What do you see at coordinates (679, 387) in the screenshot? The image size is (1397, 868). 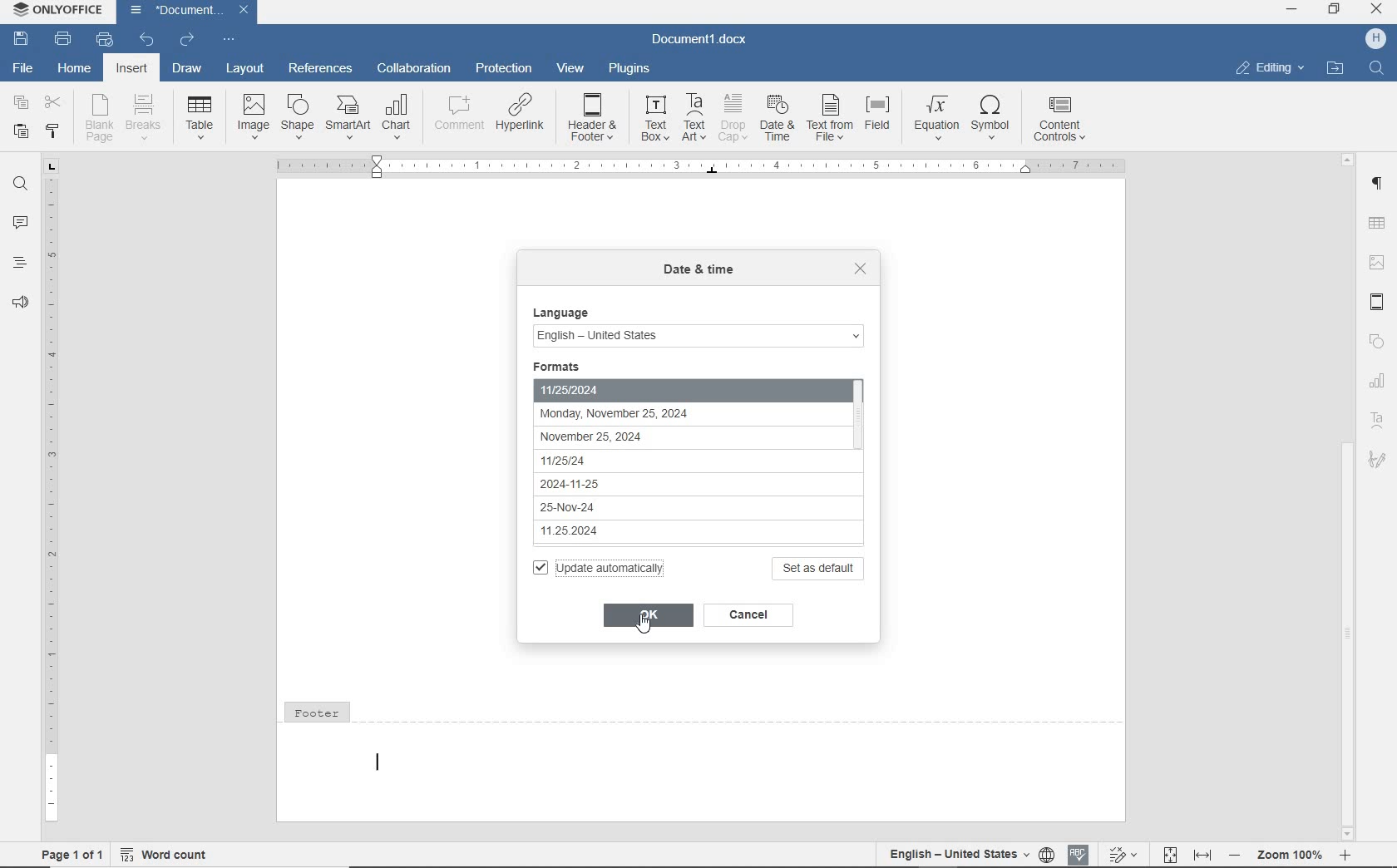 I see `11/25/2024` at bounding box center [679, 387].